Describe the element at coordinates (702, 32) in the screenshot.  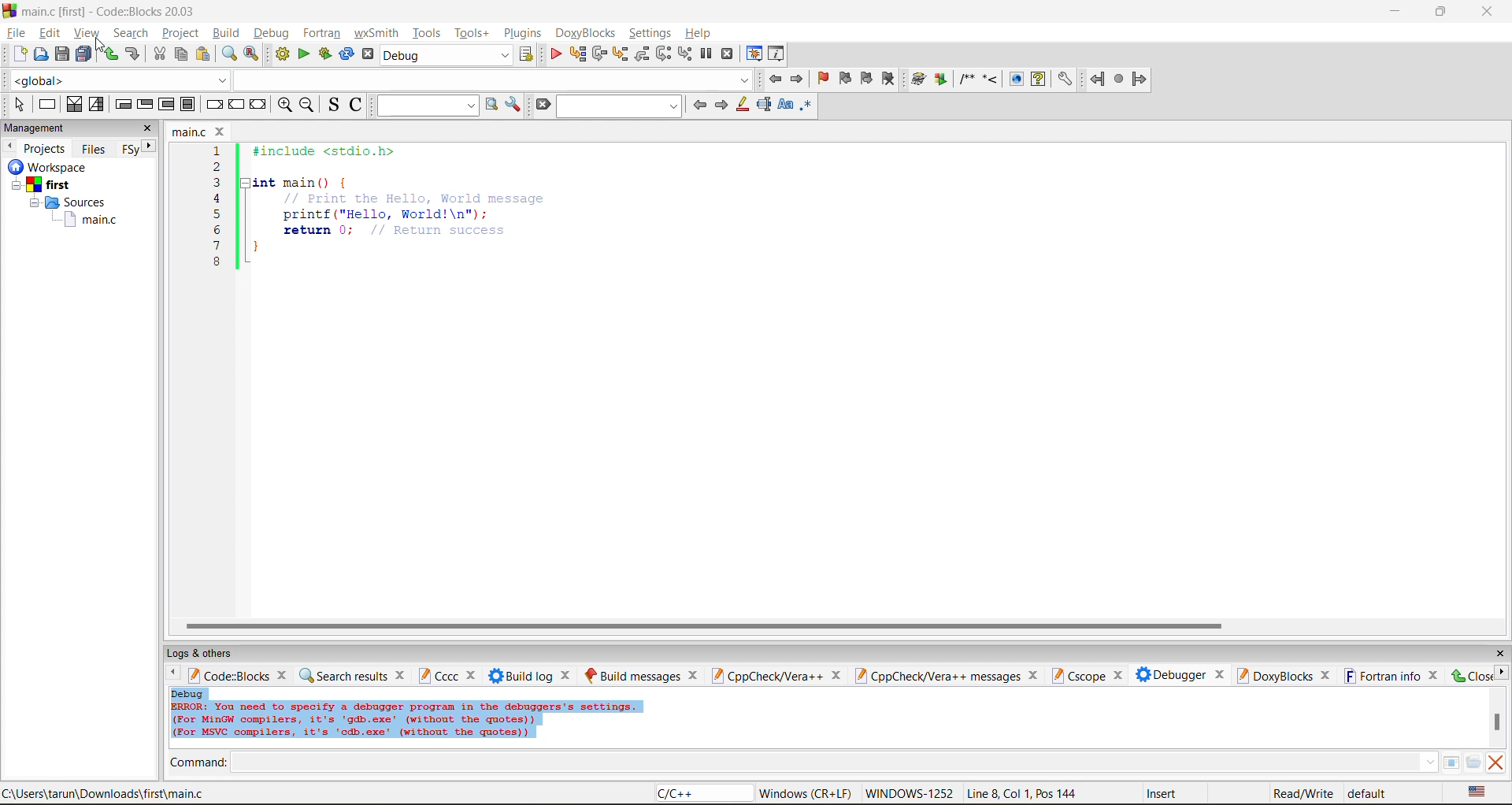
I see `help` at that location.